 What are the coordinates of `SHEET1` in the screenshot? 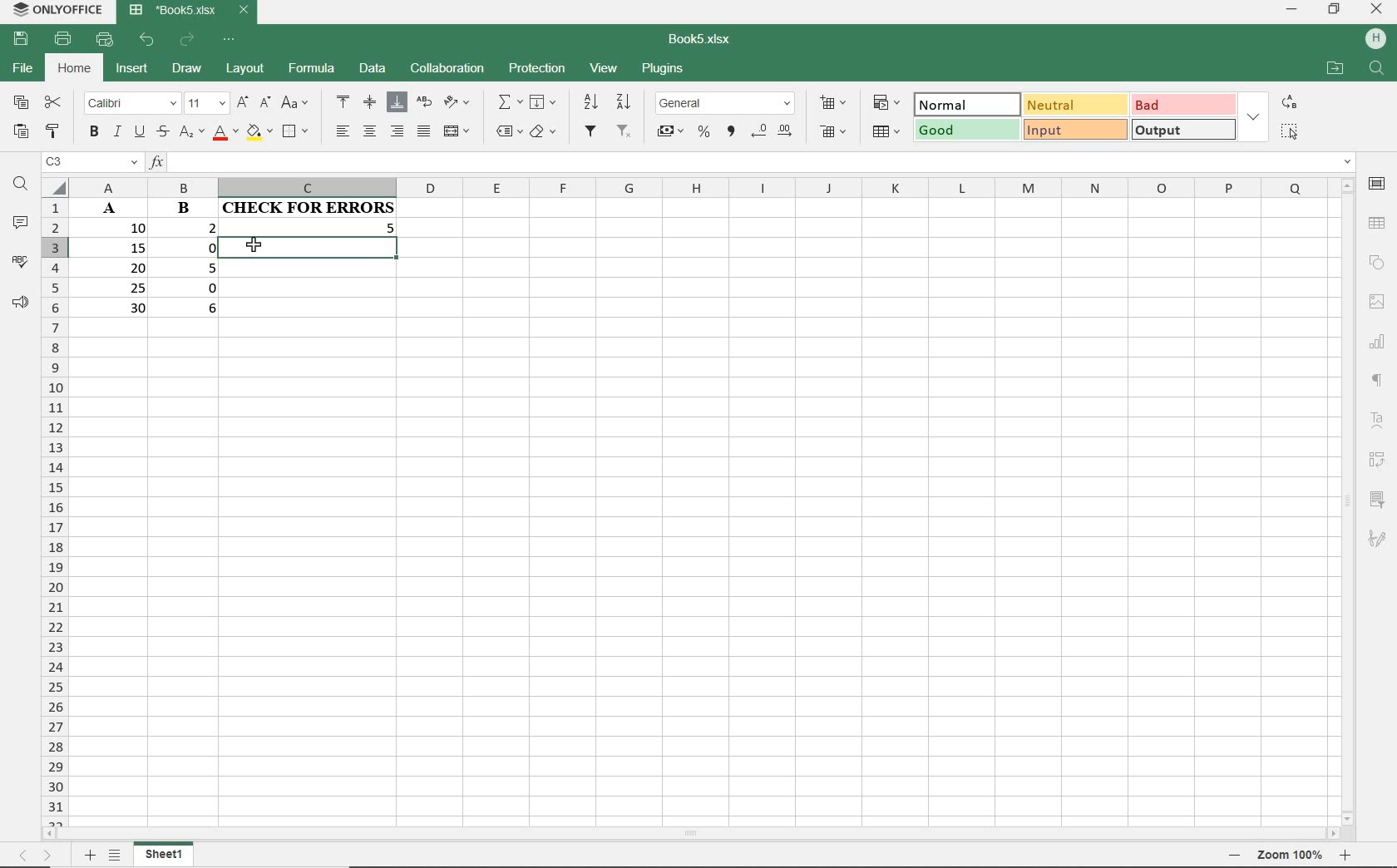 It's located at (163, 857).